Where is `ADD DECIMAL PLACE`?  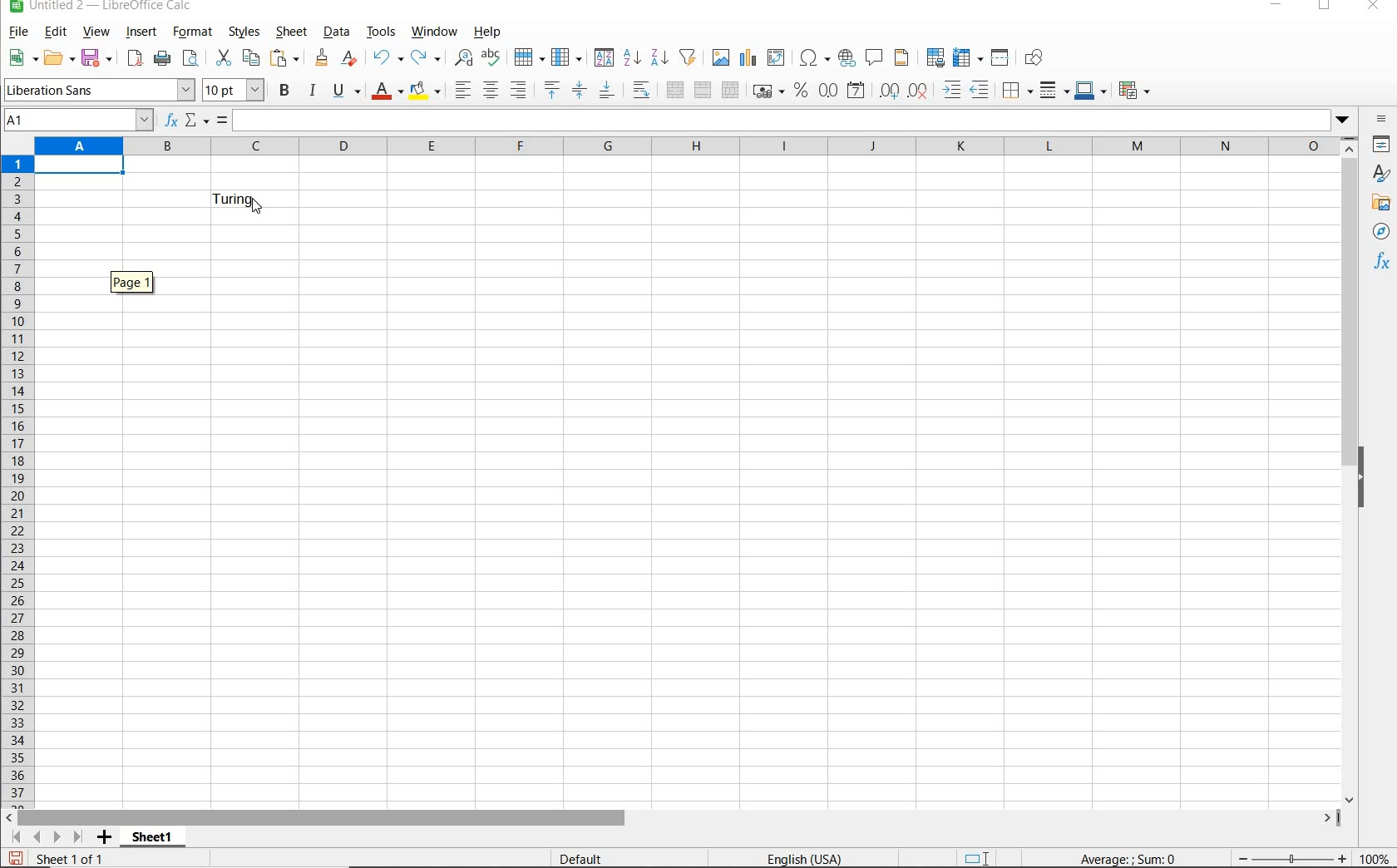
ADD DECIMAL PLACE is located at coordinates (886, 88).